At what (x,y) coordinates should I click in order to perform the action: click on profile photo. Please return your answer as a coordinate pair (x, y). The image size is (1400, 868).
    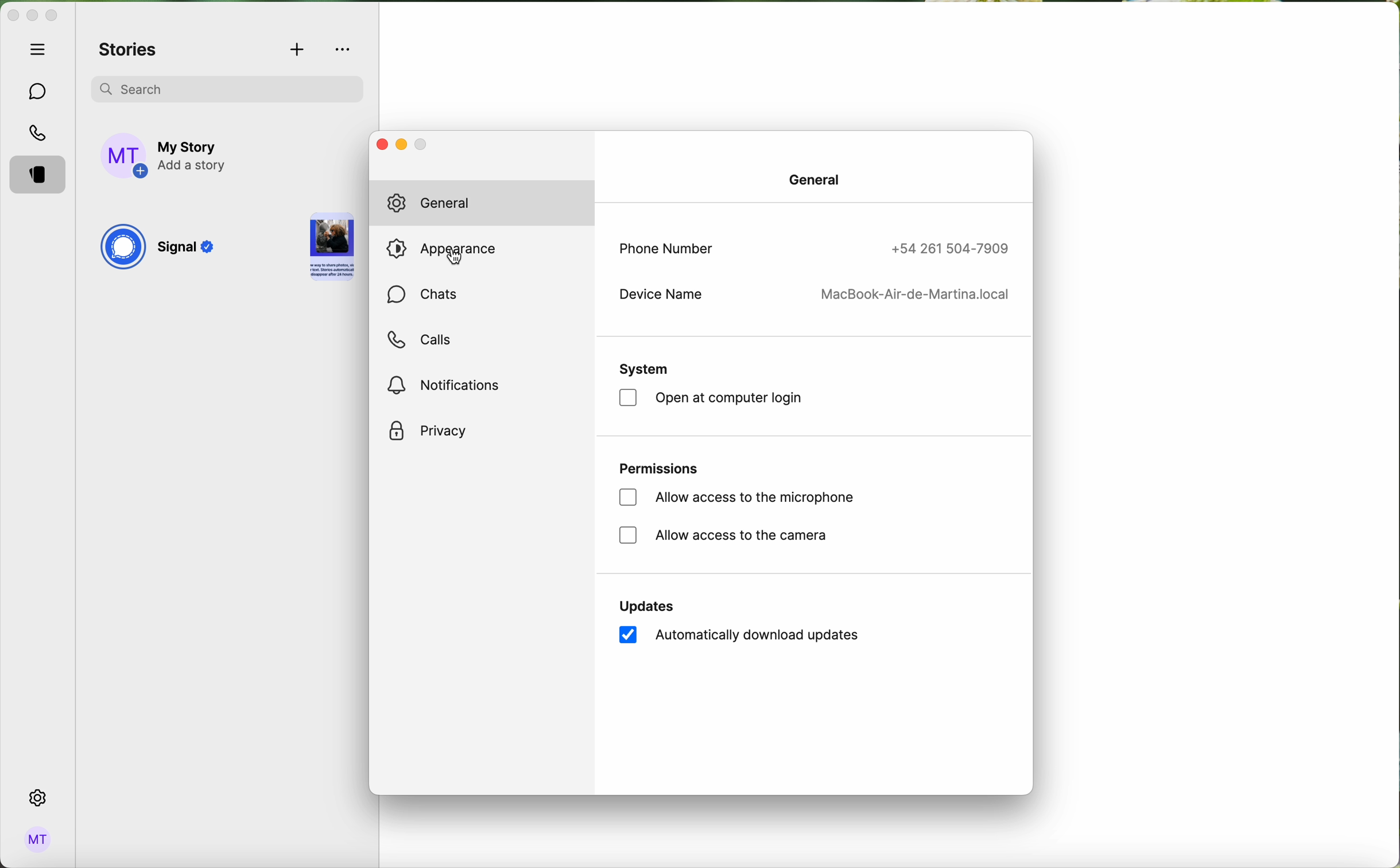
    Looking at the image, I should click on (125, 156).